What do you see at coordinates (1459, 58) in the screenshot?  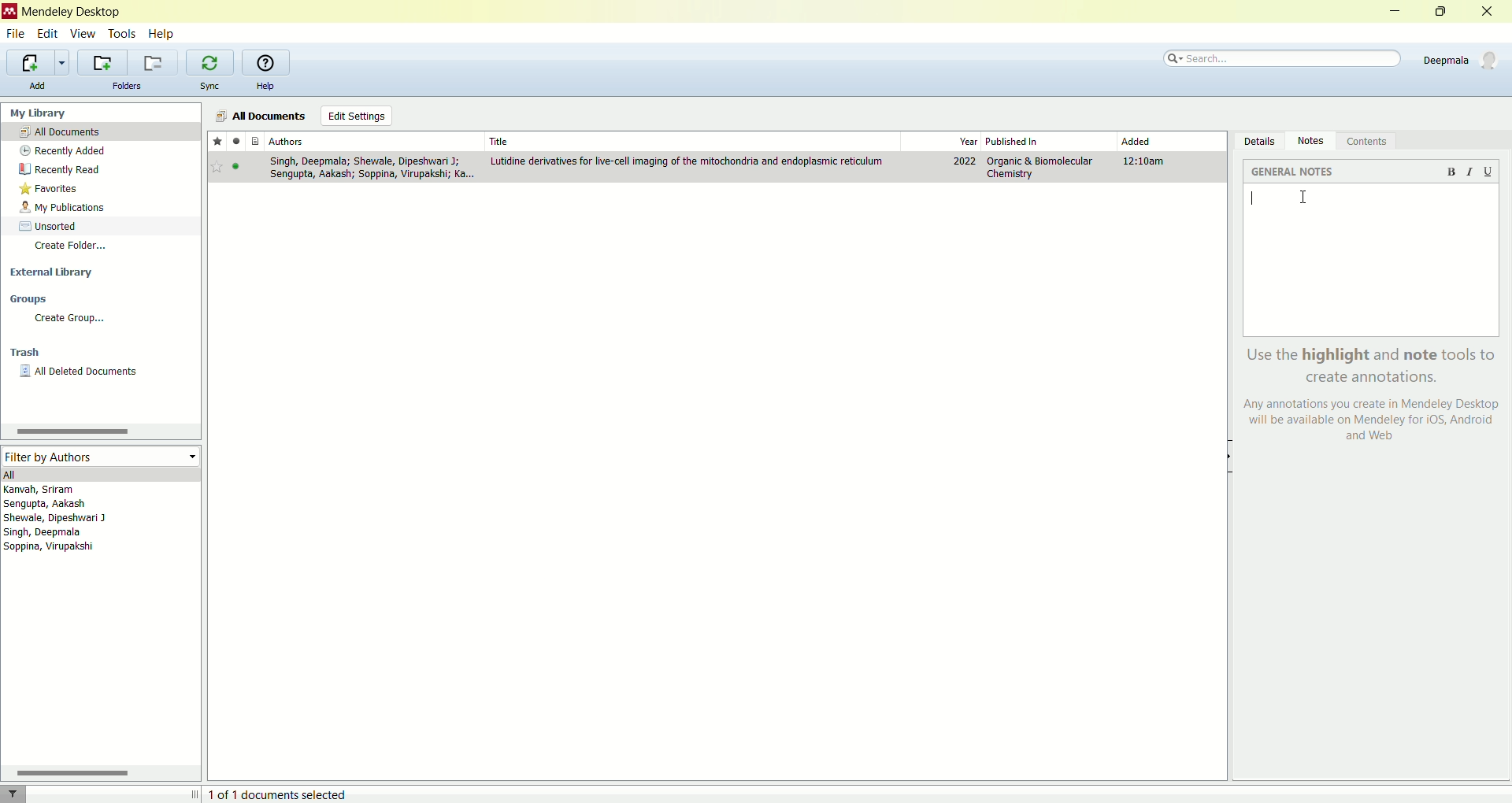 I see `account details` at bounding box center [1459, 58].